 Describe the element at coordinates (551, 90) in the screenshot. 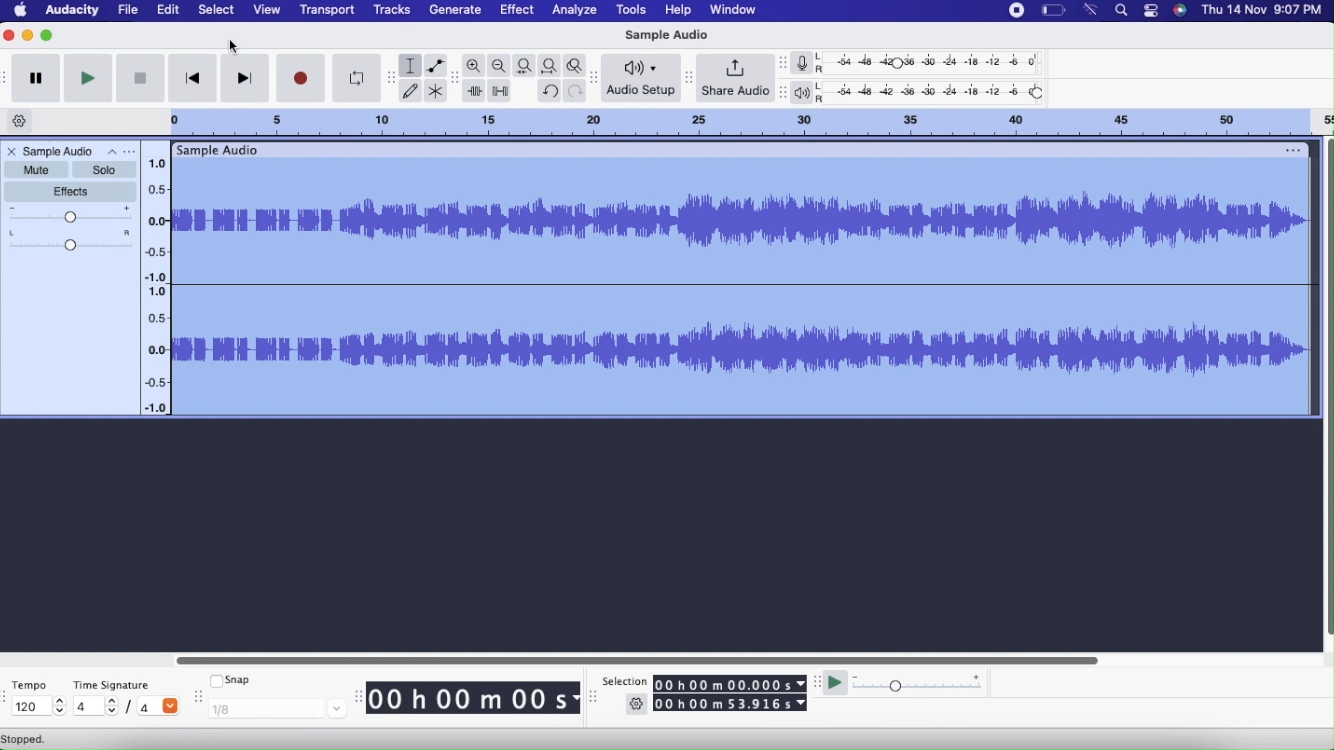

I see `Undo` at that location.